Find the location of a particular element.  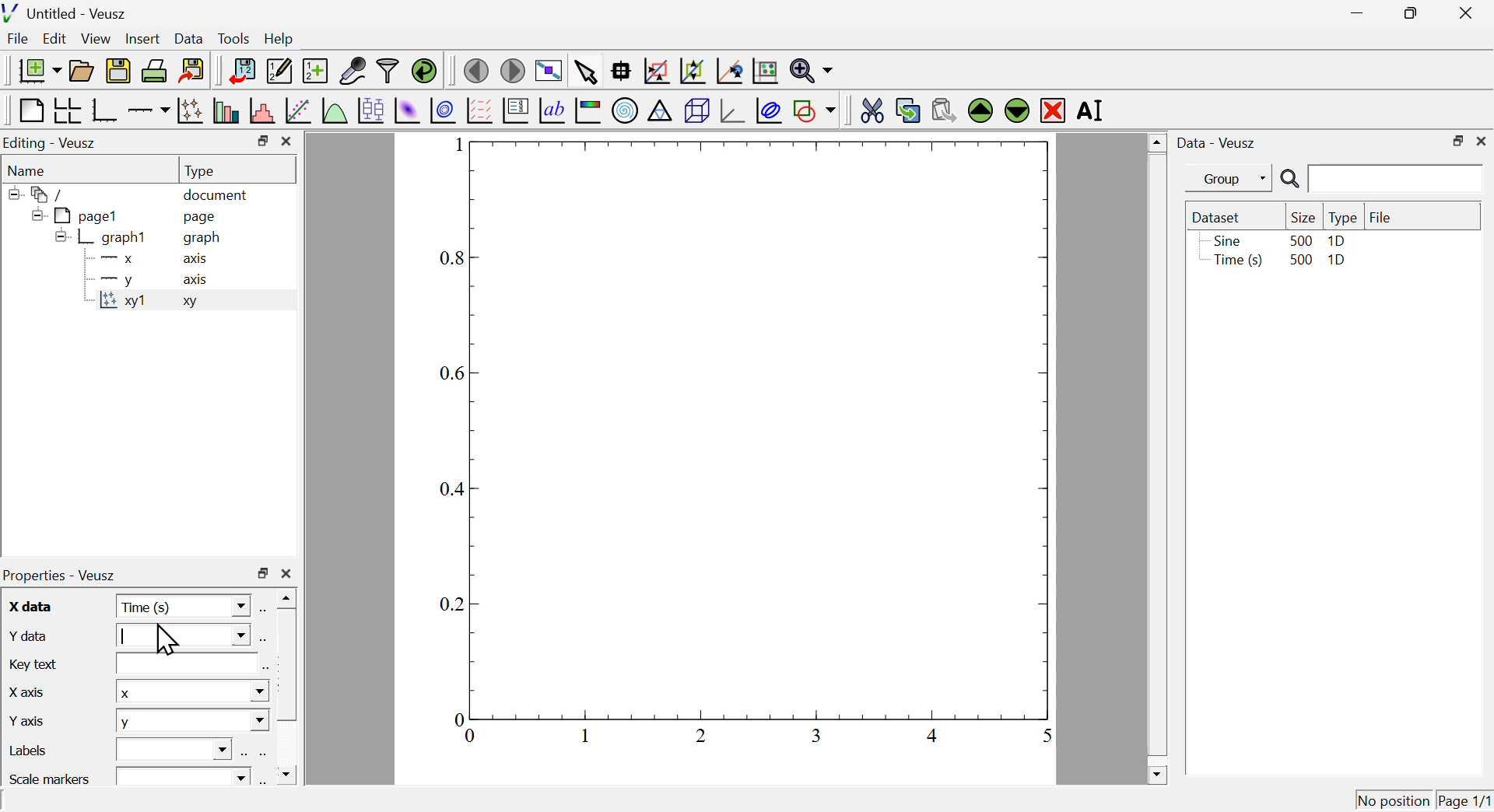

type is located at coordinates (202, 170).